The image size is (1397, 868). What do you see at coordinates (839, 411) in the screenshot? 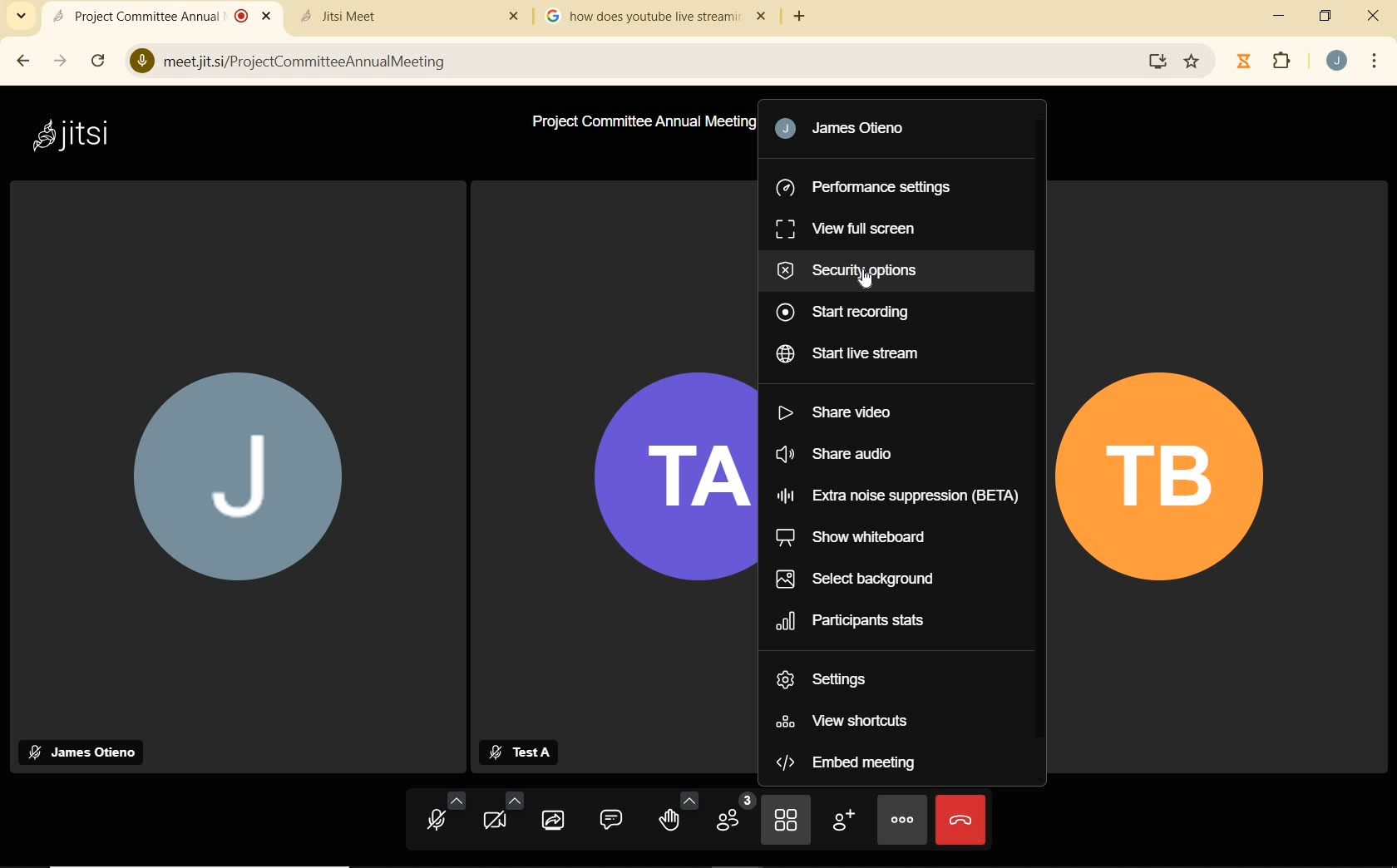
I see `SHARE VIDEO` at bounding box center [839, 411].